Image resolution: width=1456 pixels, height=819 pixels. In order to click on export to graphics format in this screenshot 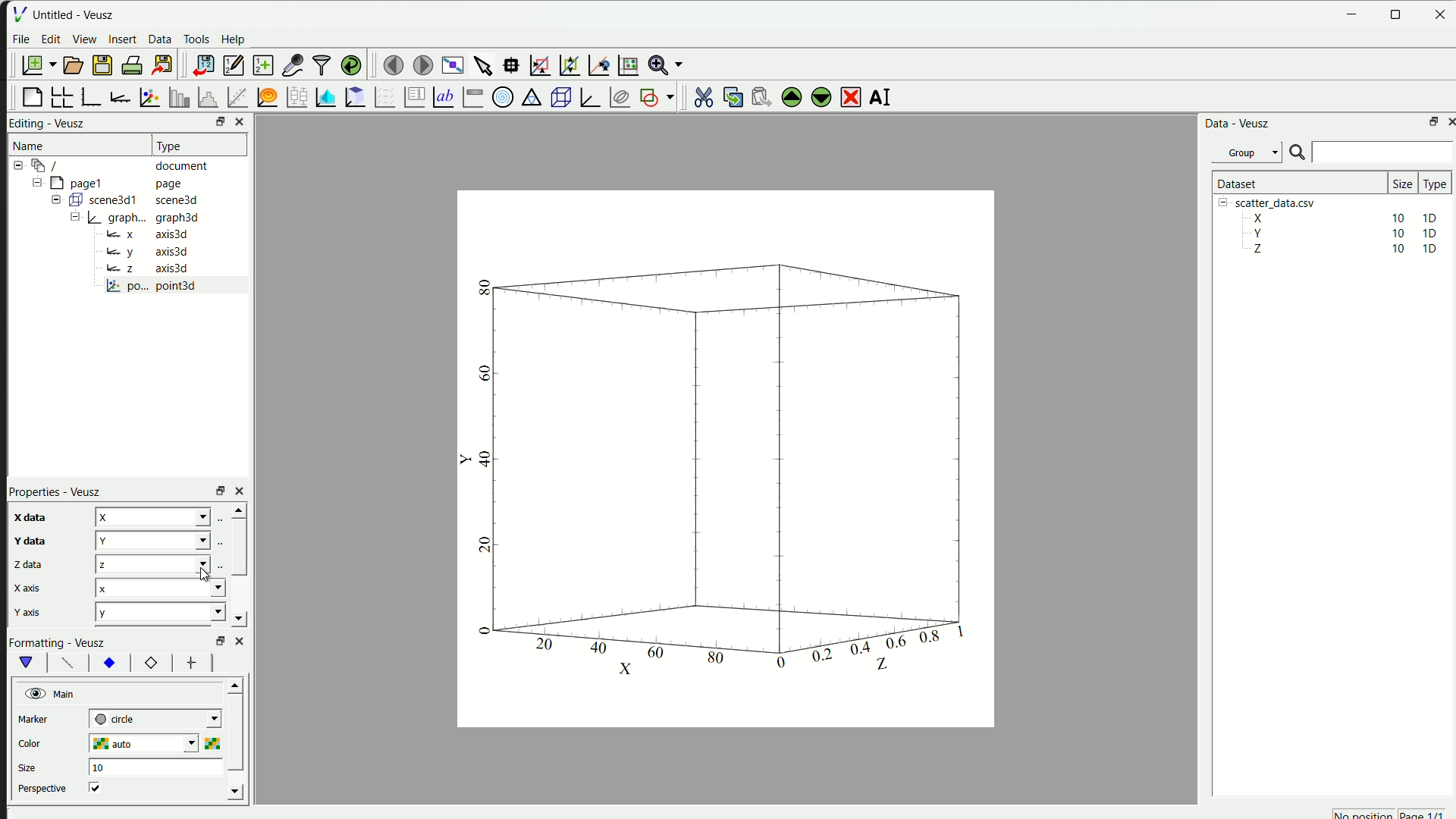, I will do `click(161, 63)`.